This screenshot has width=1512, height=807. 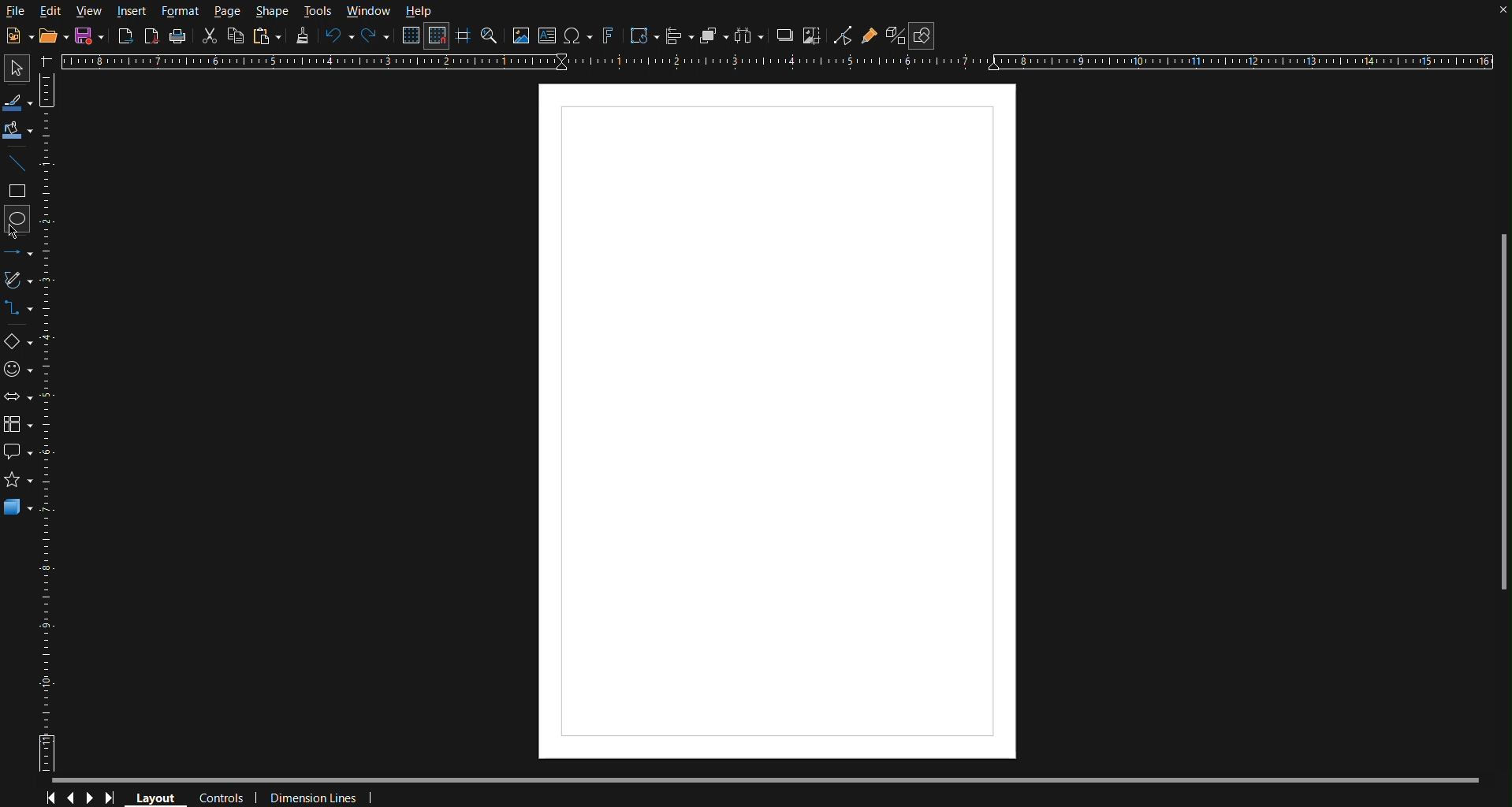 What do you see at coordinates (19, 67) in the screenshot?
I see `Select` at bounding box center [19, 67].